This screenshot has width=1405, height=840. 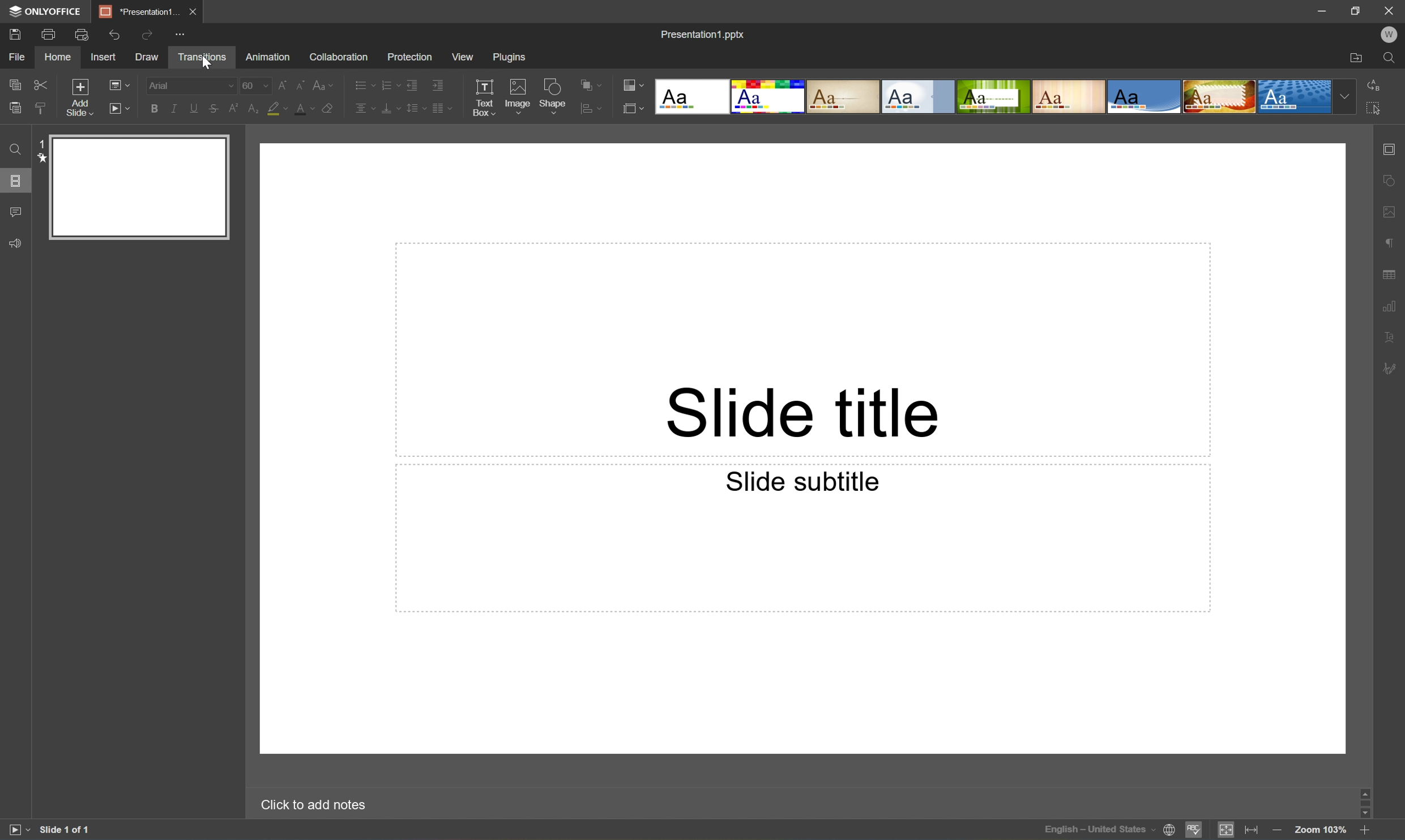 What do you see at coordinates (280, 85) in the screenshot?
I see `Increment font size` at bounding box center [280, 85].